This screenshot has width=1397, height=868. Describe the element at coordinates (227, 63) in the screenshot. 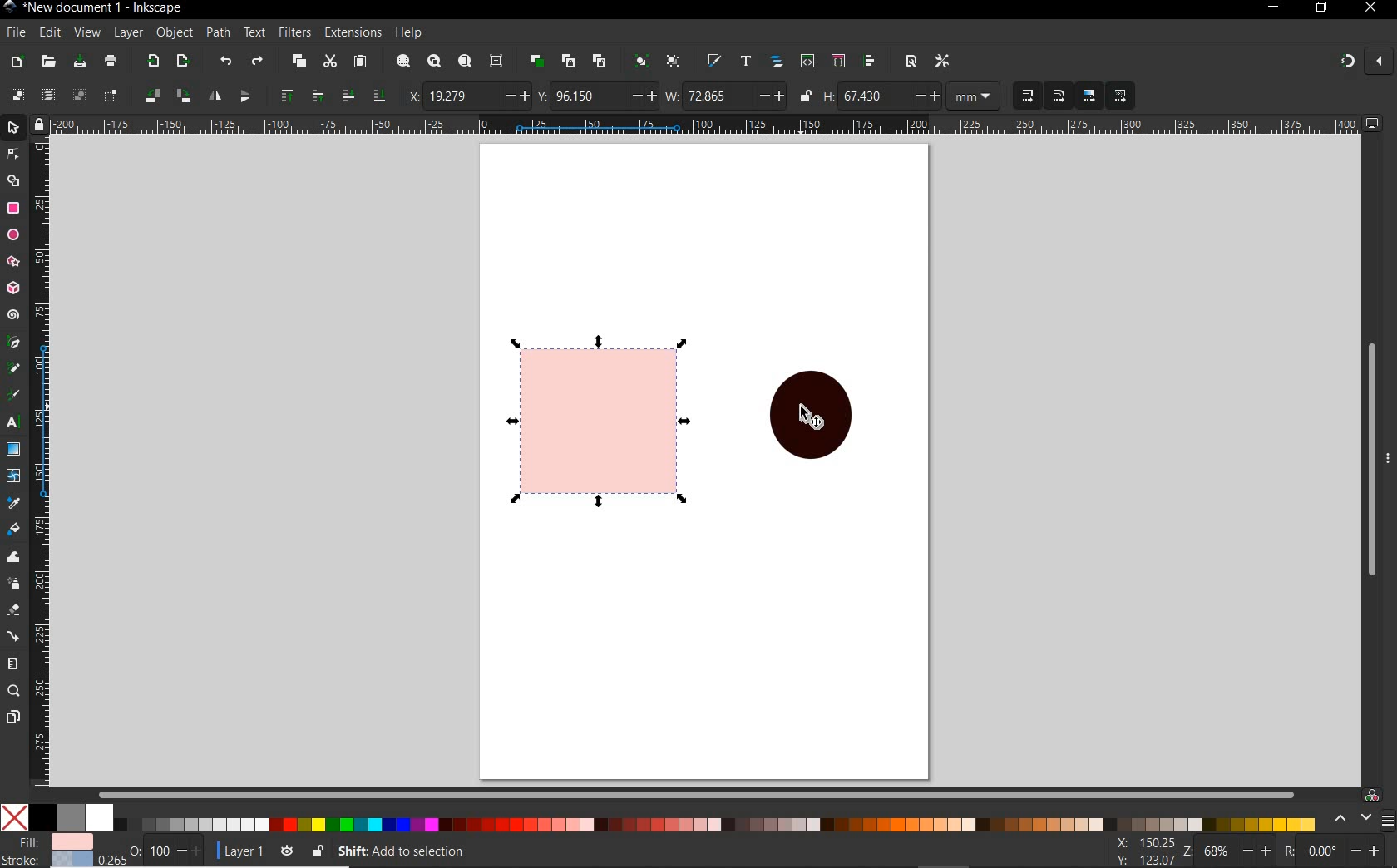

I see `undo` at that location.